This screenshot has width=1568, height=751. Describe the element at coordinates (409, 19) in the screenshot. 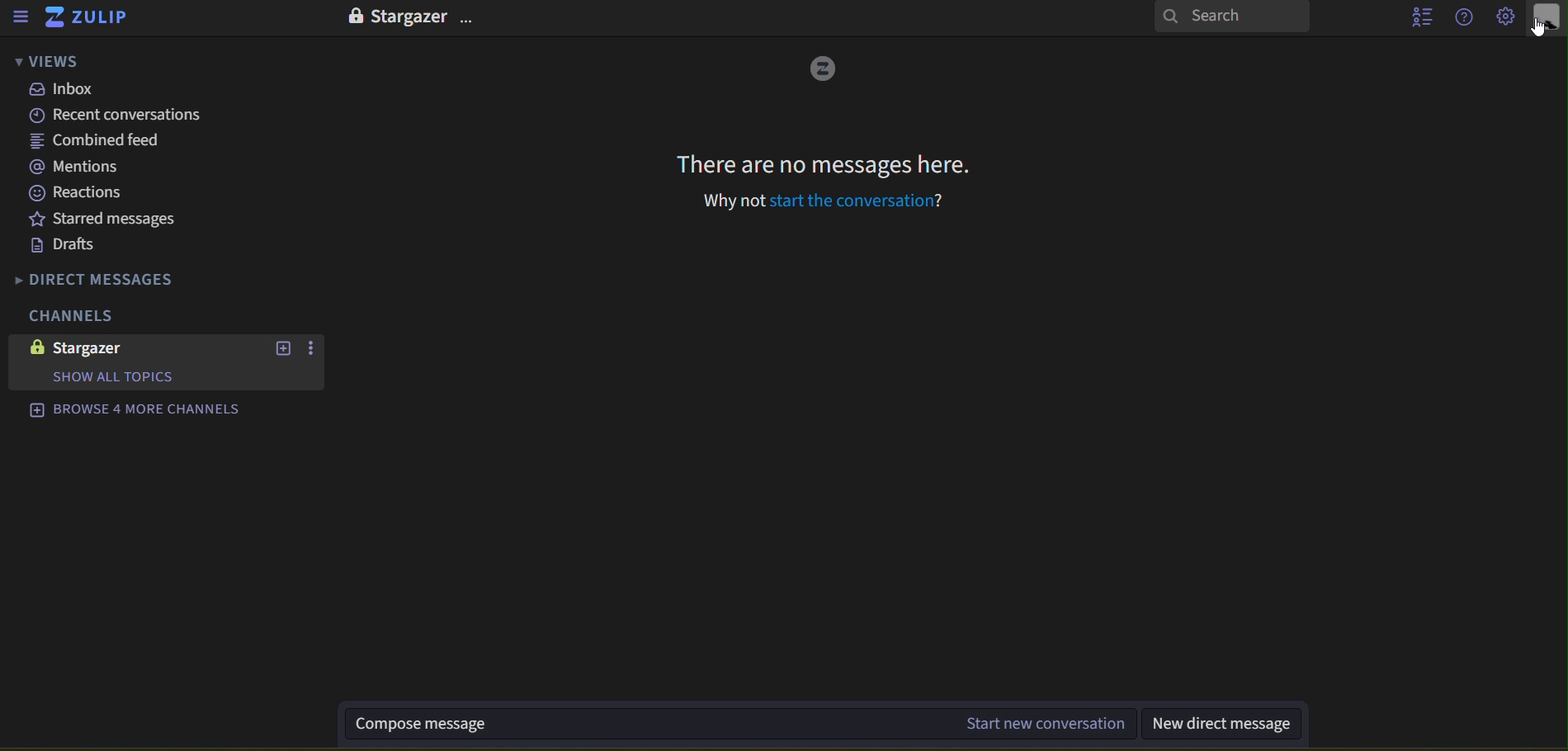

I see ` Stargazer ..` at that location.